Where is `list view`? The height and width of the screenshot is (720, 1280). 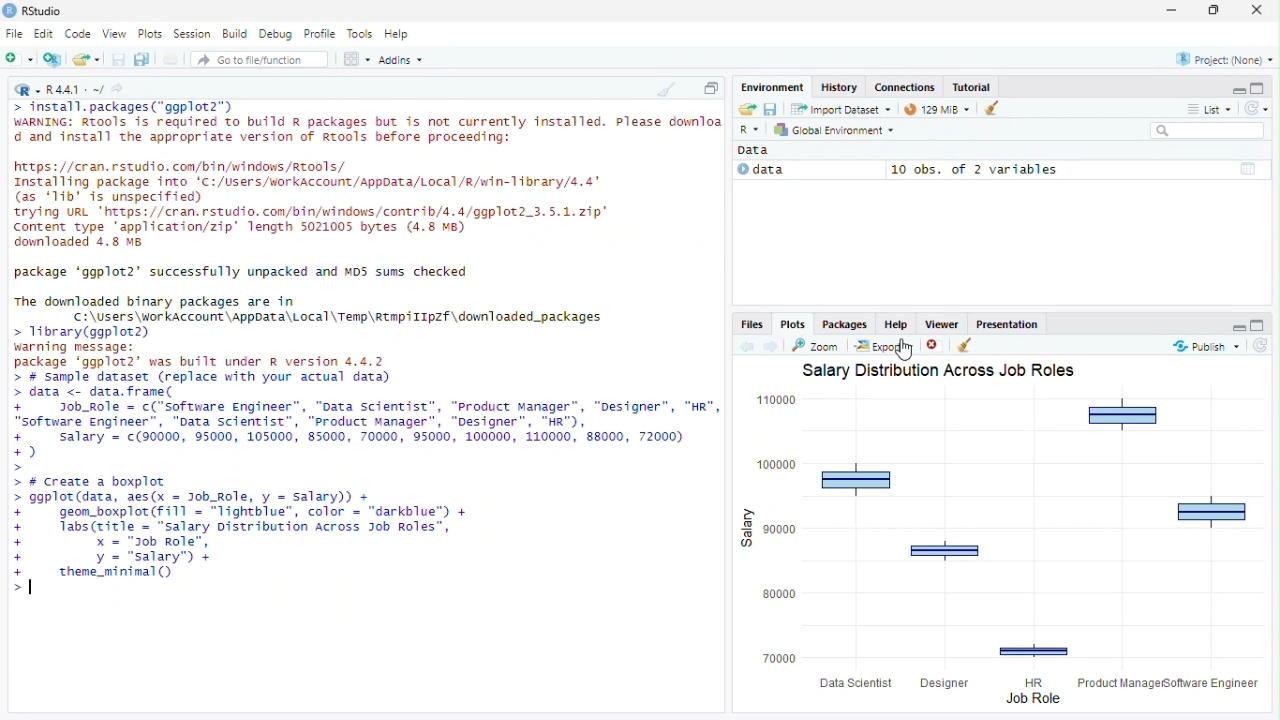
list view is located at coordinates (1208, 109).